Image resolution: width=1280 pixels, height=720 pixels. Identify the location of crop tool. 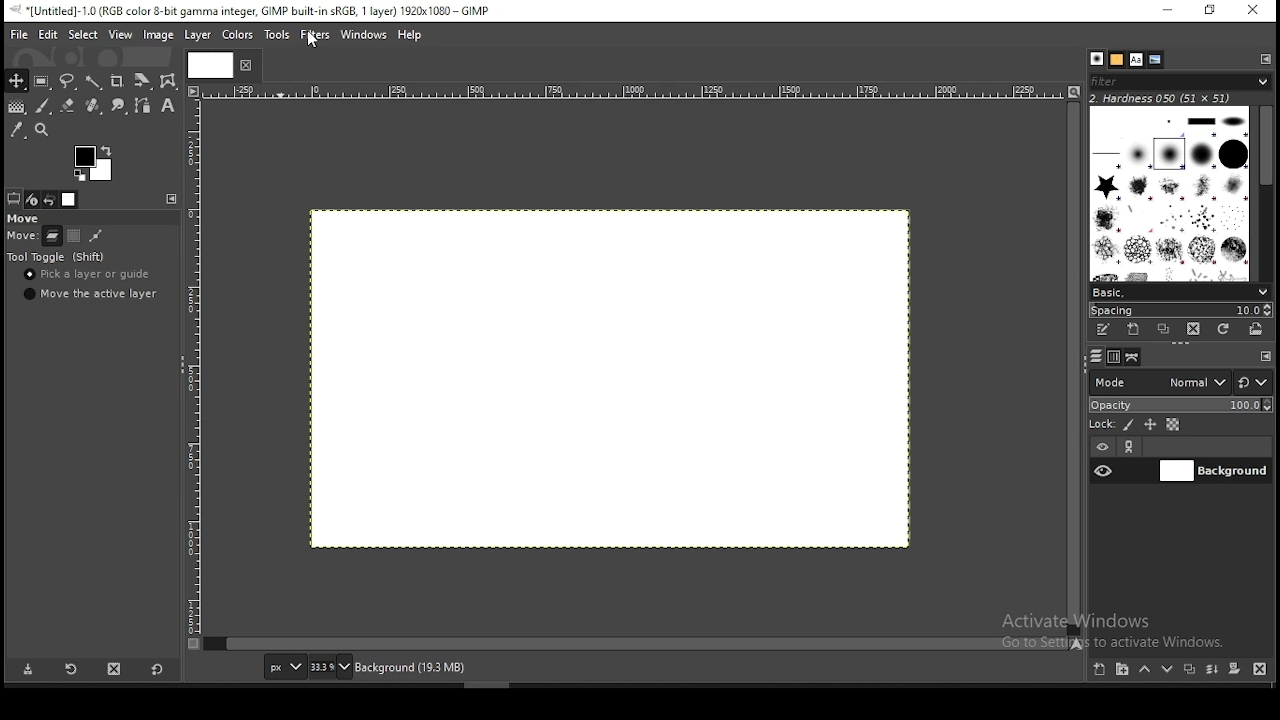
(117, 83).